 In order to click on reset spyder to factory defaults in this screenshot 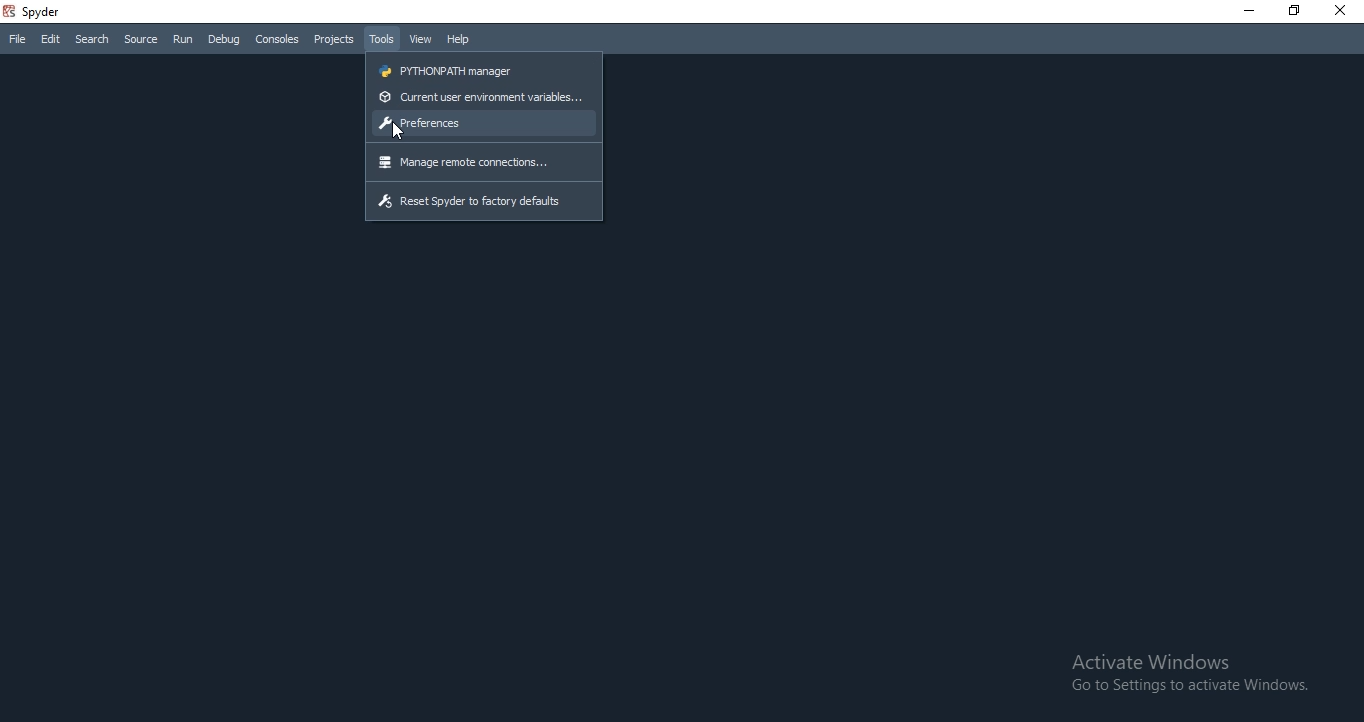, I will do `click(485, 203)`.